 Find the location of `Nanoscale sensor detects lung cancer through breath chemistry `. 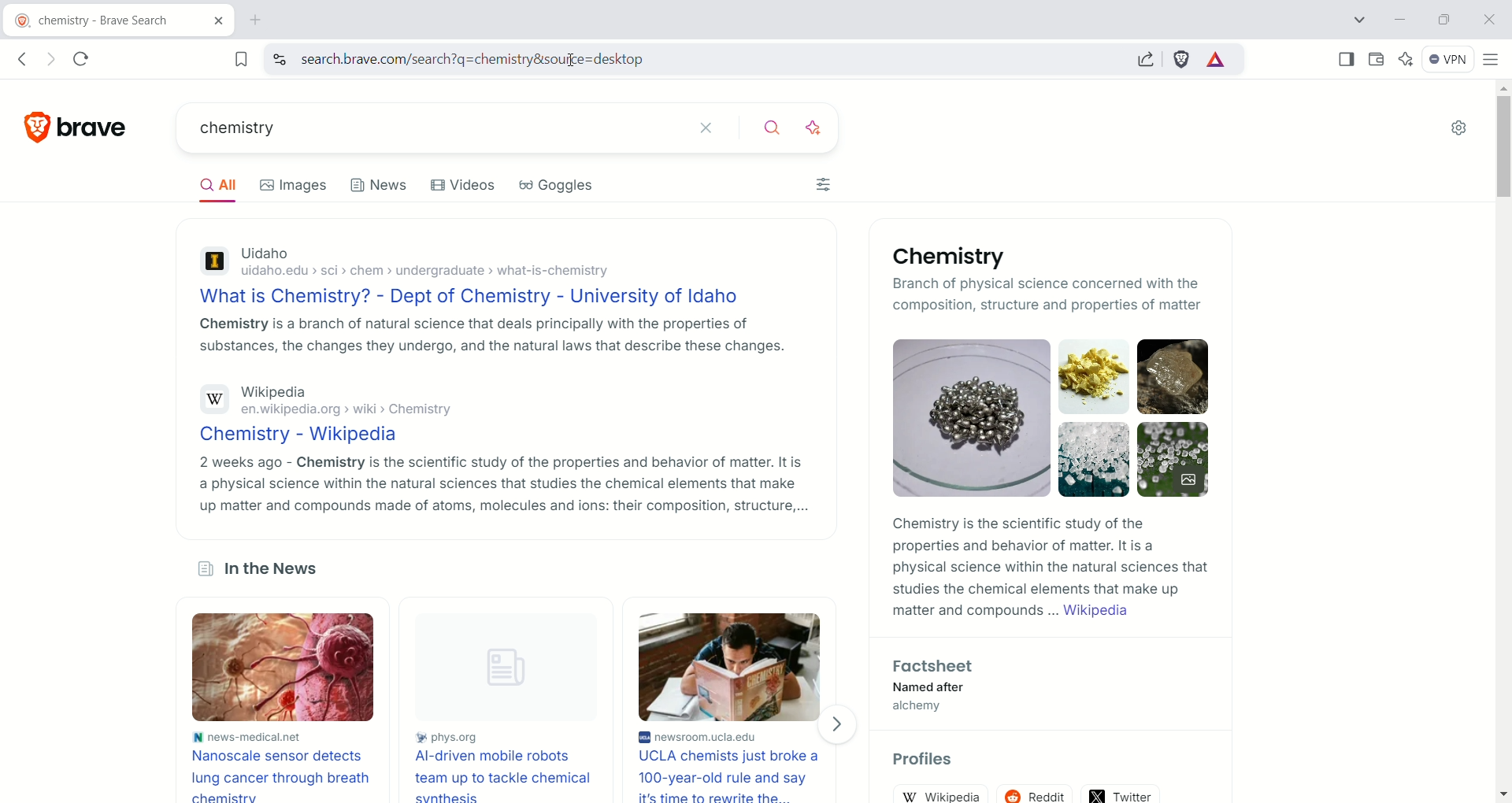

Nanoscale sensor detects lung cancer through breath chemistry  is located at coordinates (281, 774).